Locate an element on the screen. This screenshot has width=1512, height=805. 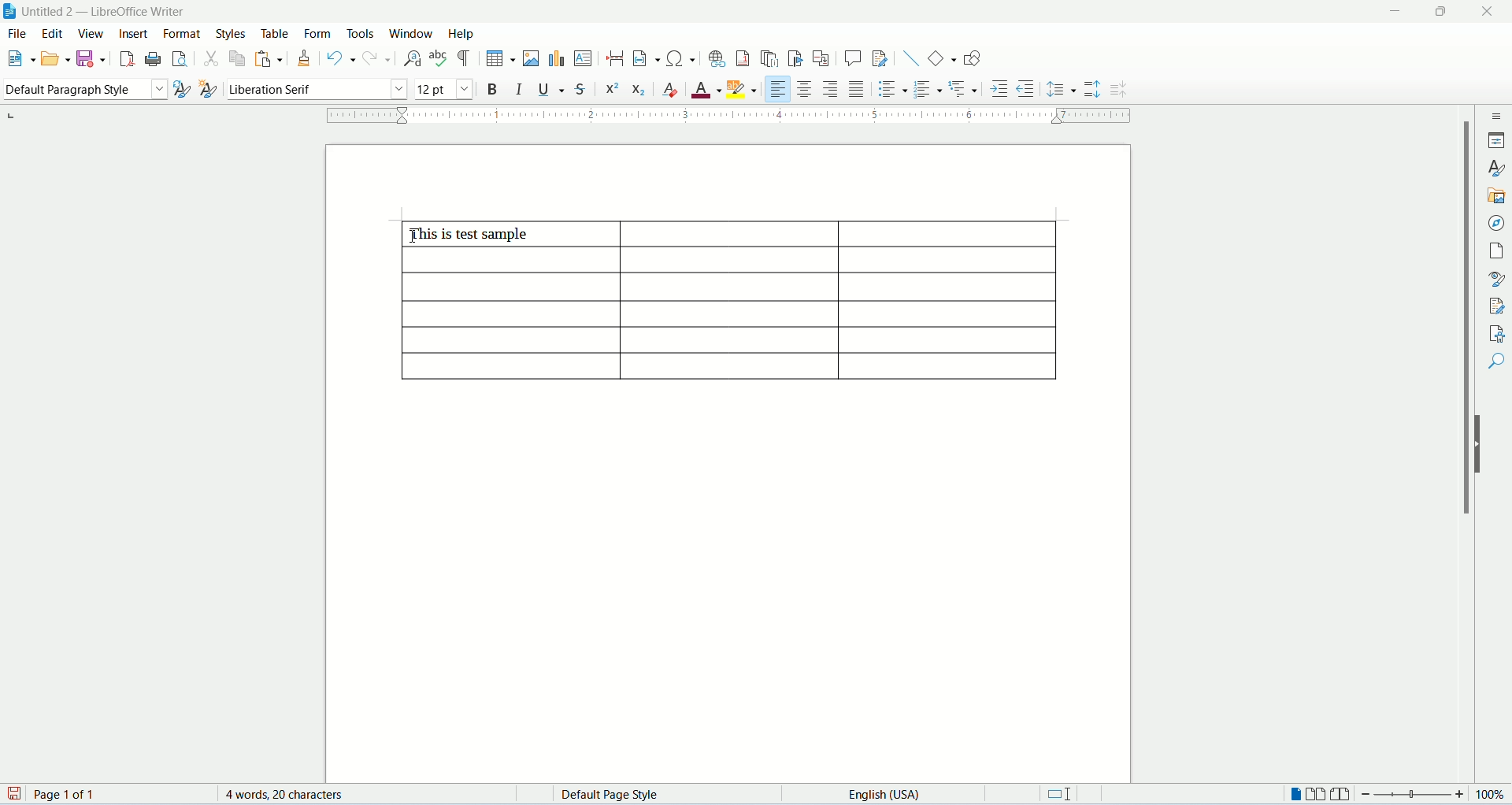
properties is located at coordinates (1498, 141).